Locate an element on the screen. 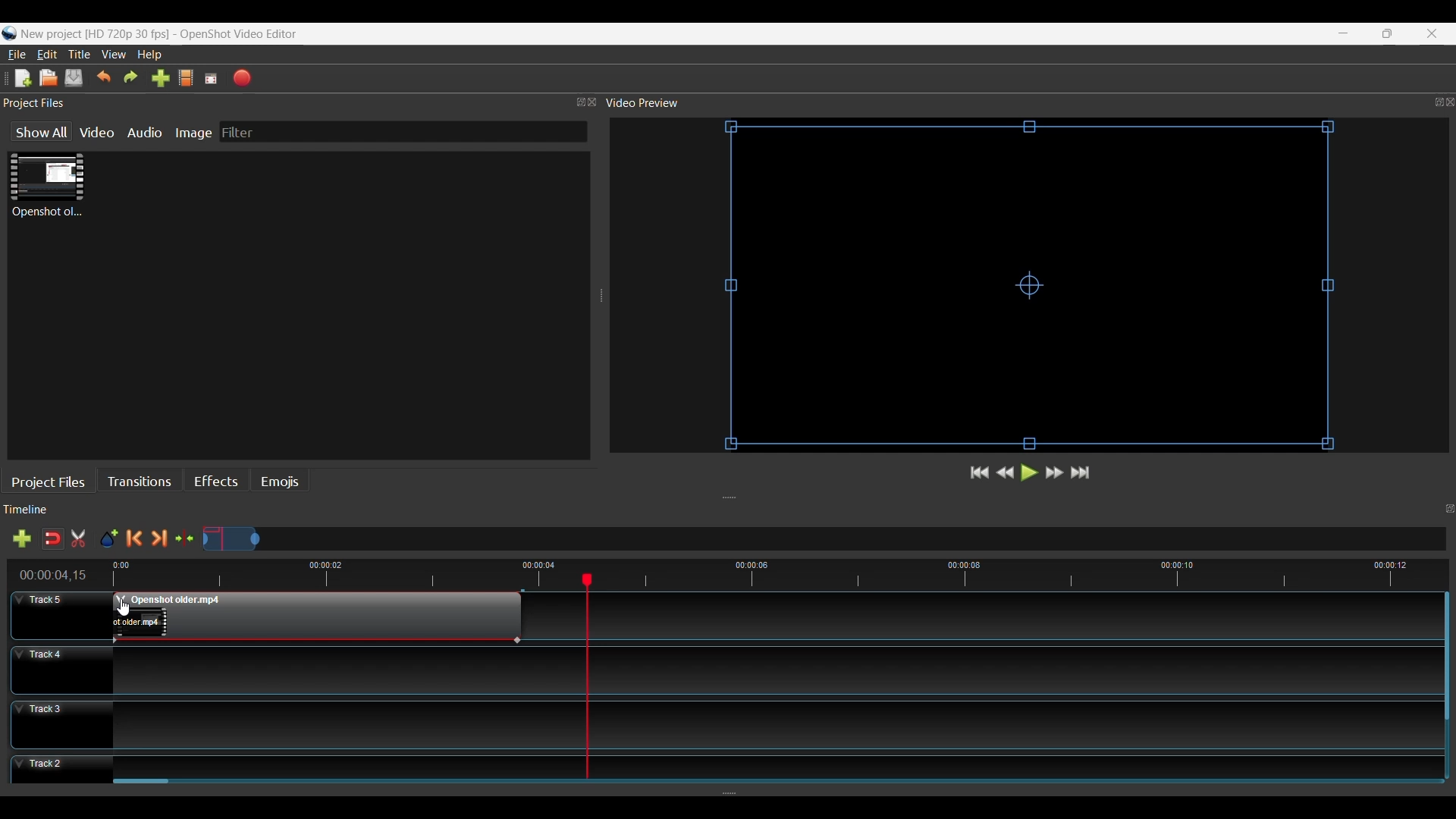 Image resolution: width=1456 pixels, height=819 pixels. Image is located at coordinates (196, 132).